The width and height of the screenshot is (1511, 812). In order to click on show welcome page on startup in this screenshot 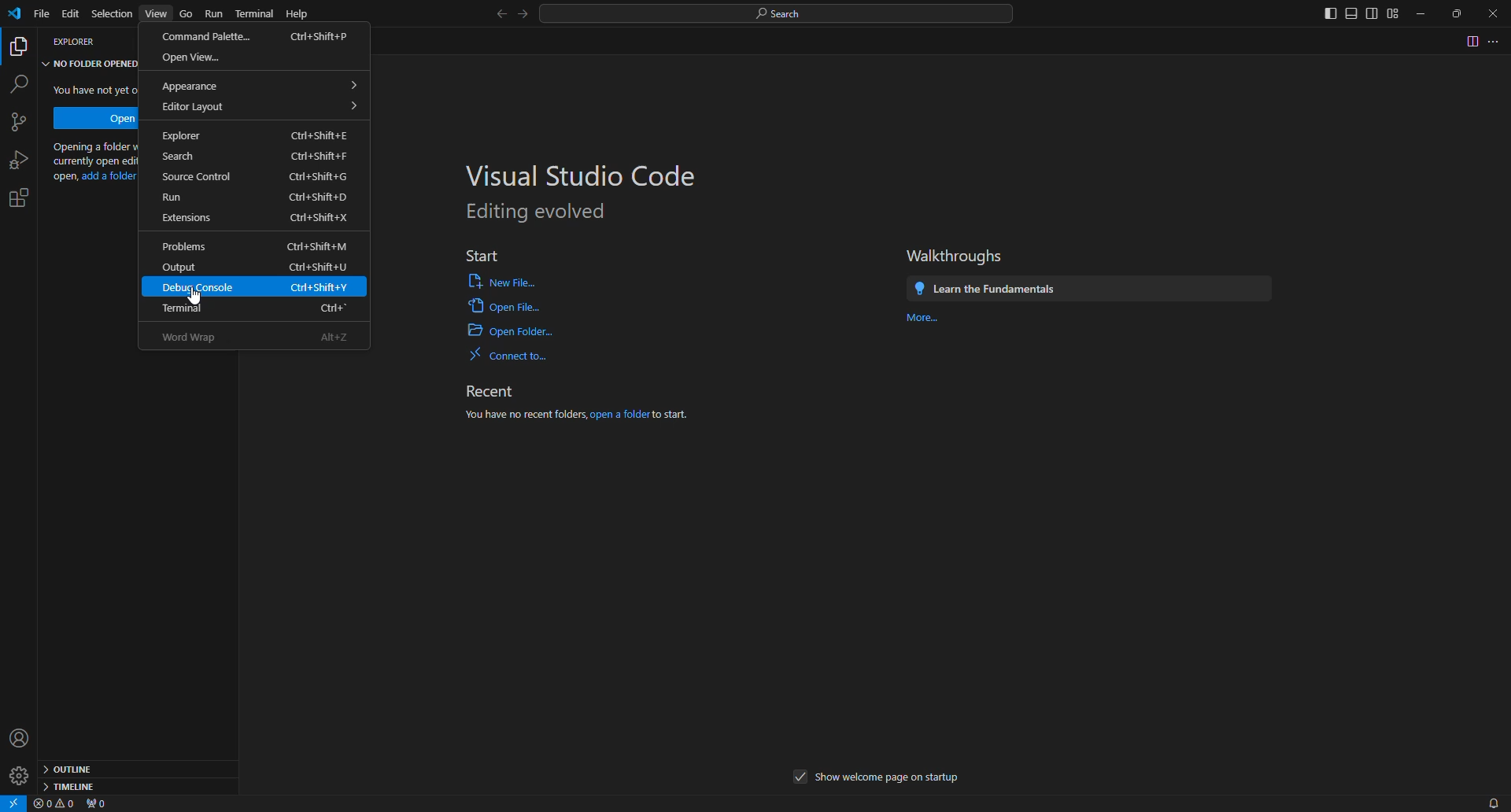, I will do `click(875, 778)`.